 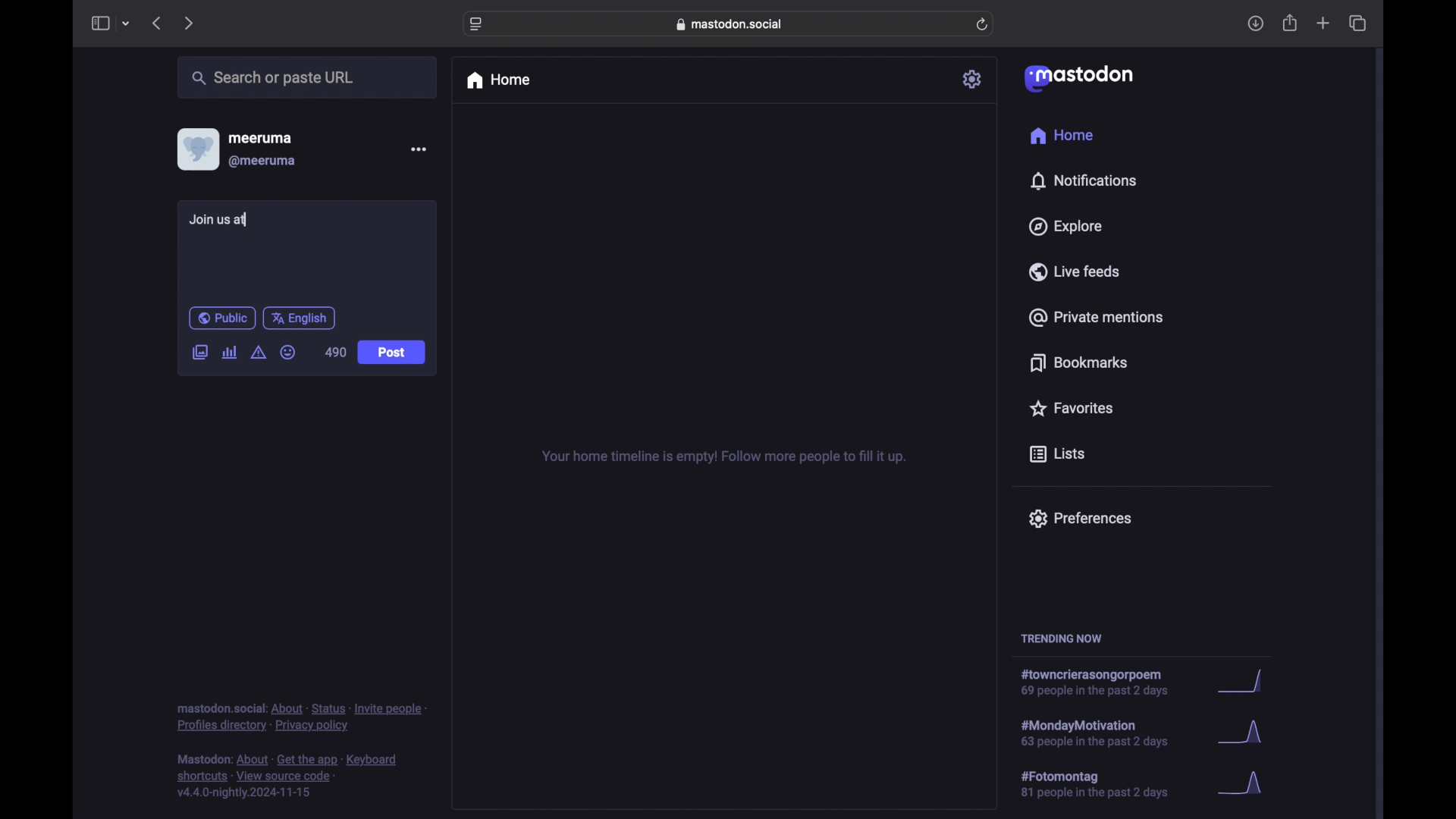 What do you see at coordinates (288, 353) in the screenshot?
I see `emoji` at bounding box center [288, 353].